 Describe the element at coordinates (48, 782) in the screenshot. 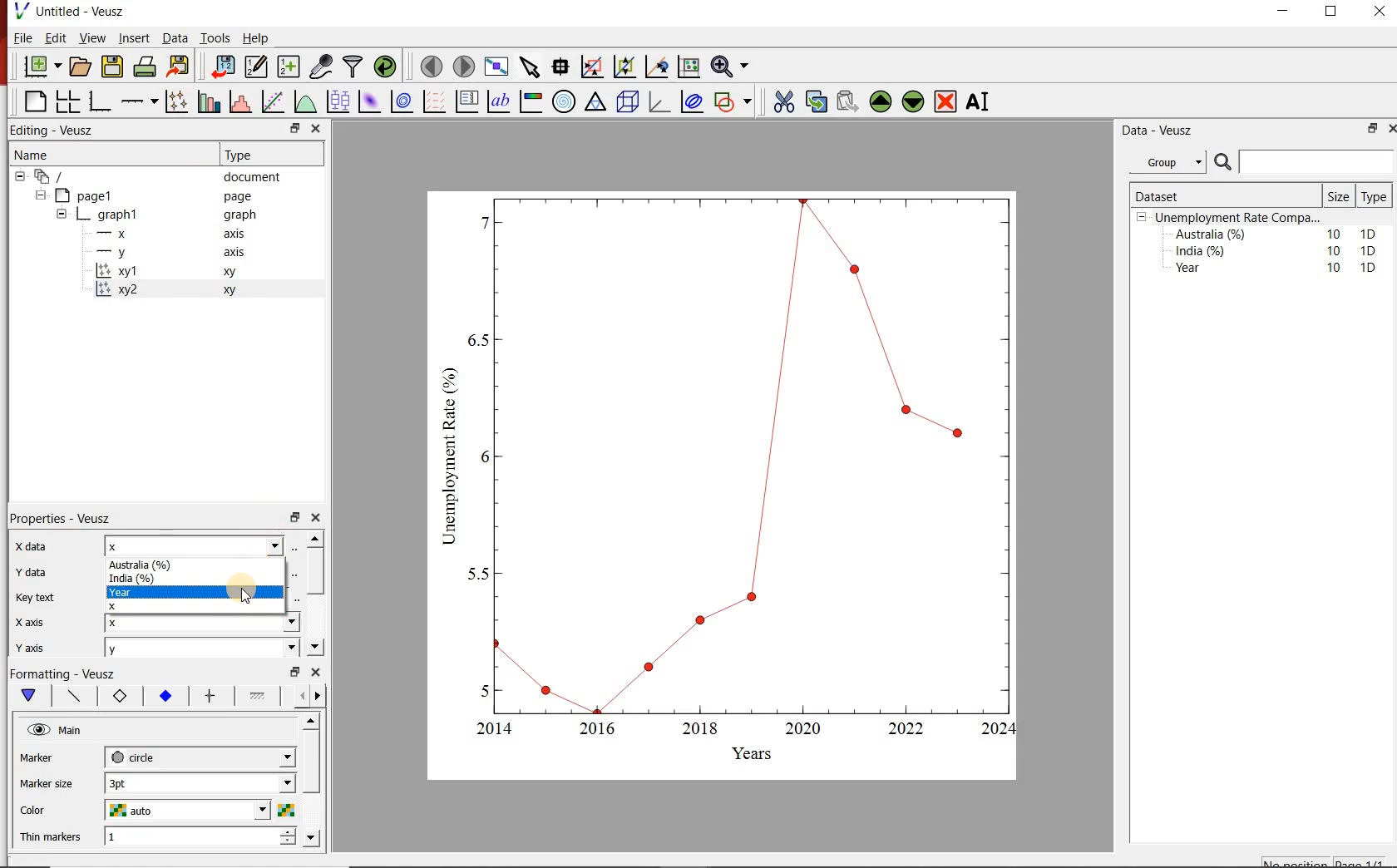

I see `Marker size` at that location.